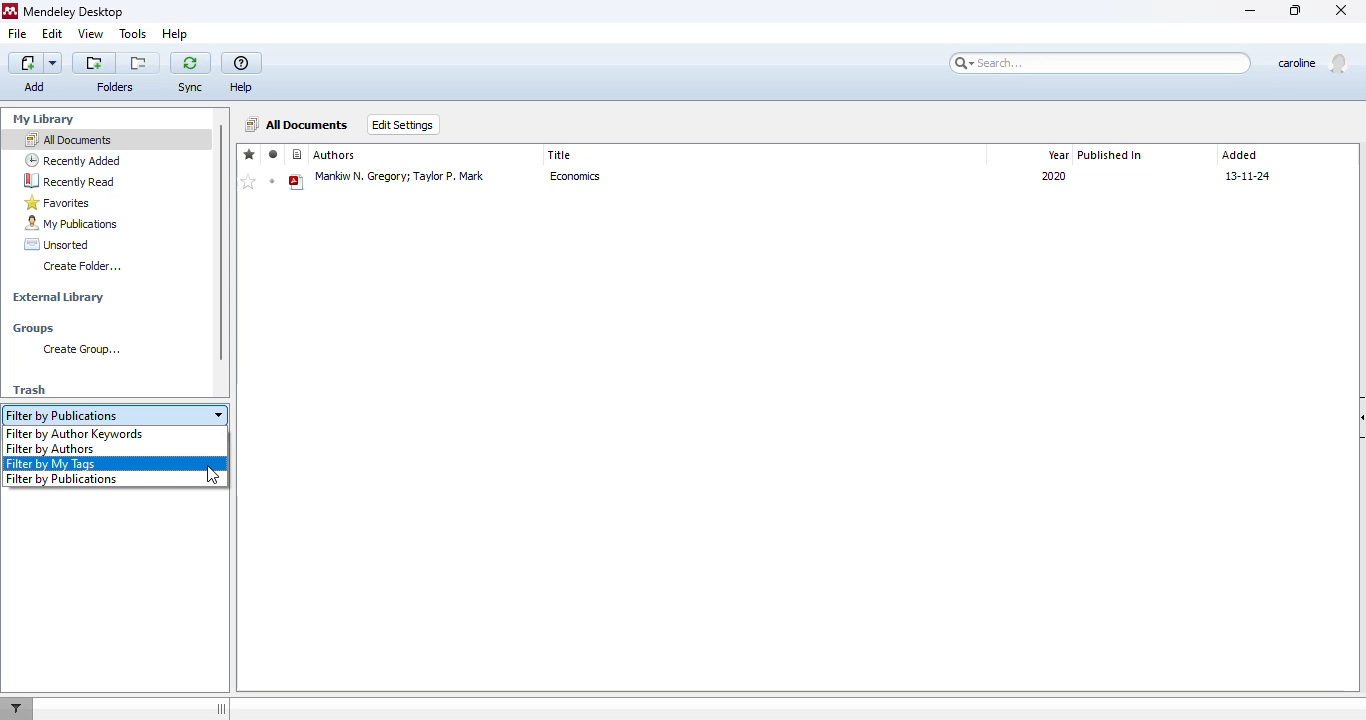 This screenshot has height=720, width=1366. Describe the element at coordinates (115, 416) in the screenshot. I see `filter by publications` at that location.